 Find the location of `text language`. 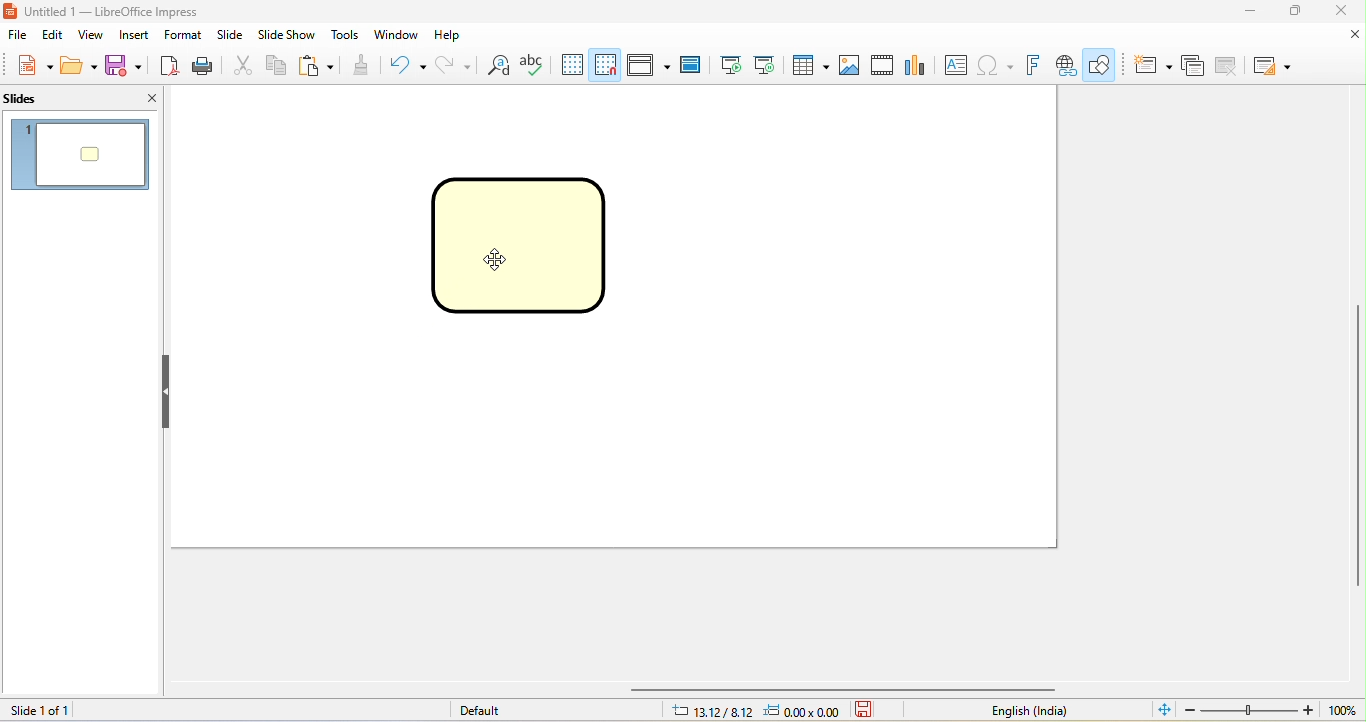

text language is located at coordinates (1026, 711).